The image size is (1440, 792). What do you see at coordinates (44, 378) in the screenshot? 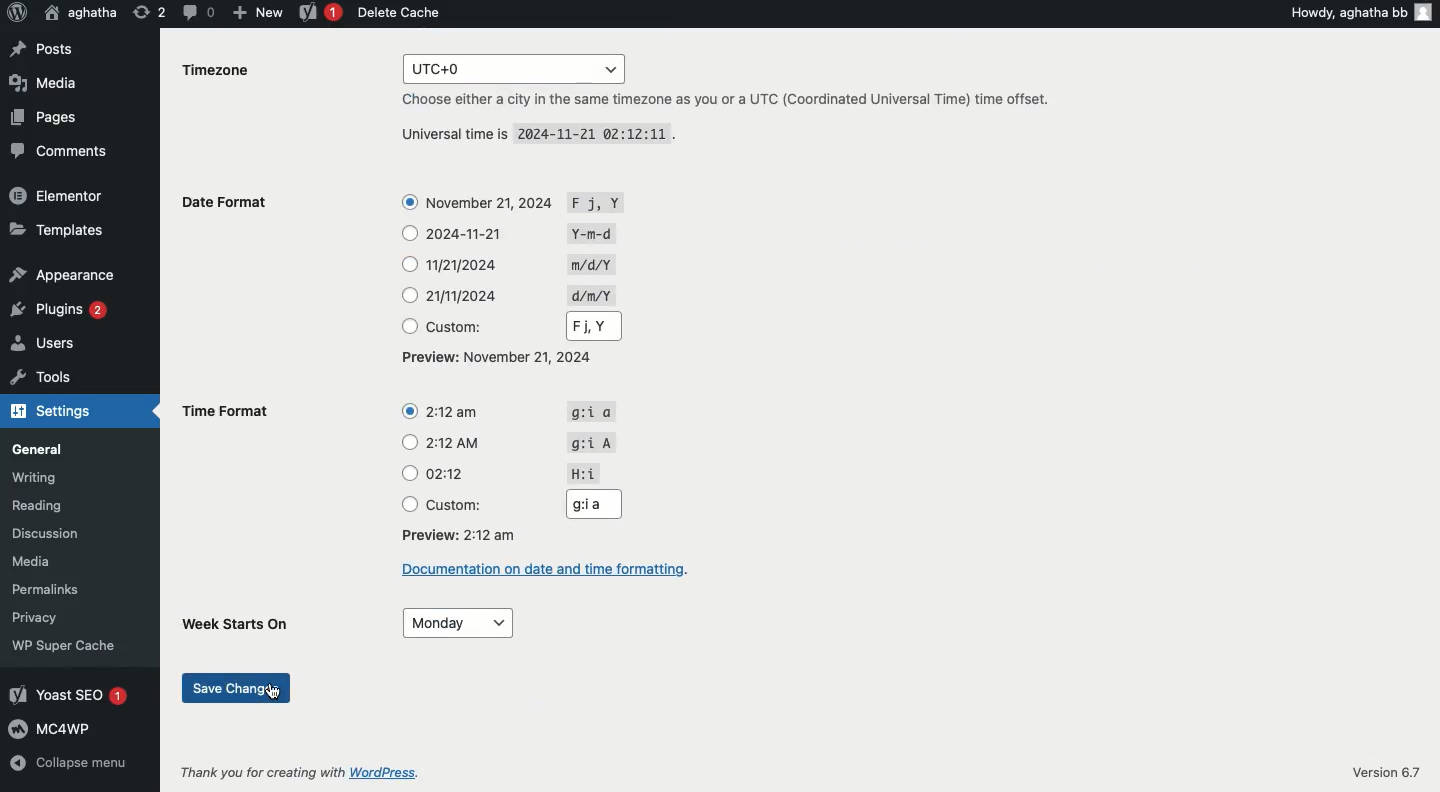
I see `Tools` at bounding box center [44, 378].